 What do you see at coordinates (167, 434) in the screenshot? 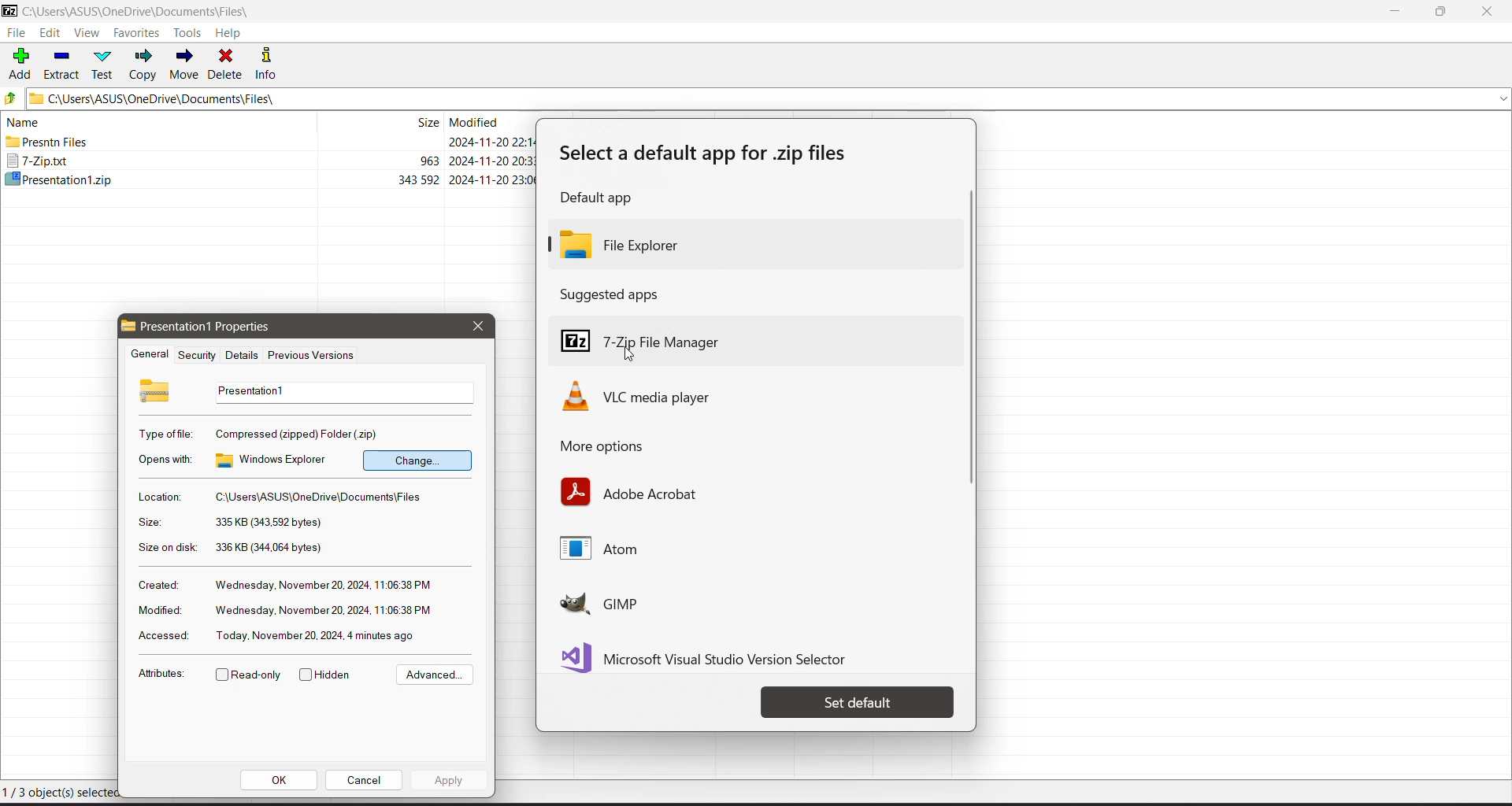
I see `Type of file` at bounding box center [167, 434].